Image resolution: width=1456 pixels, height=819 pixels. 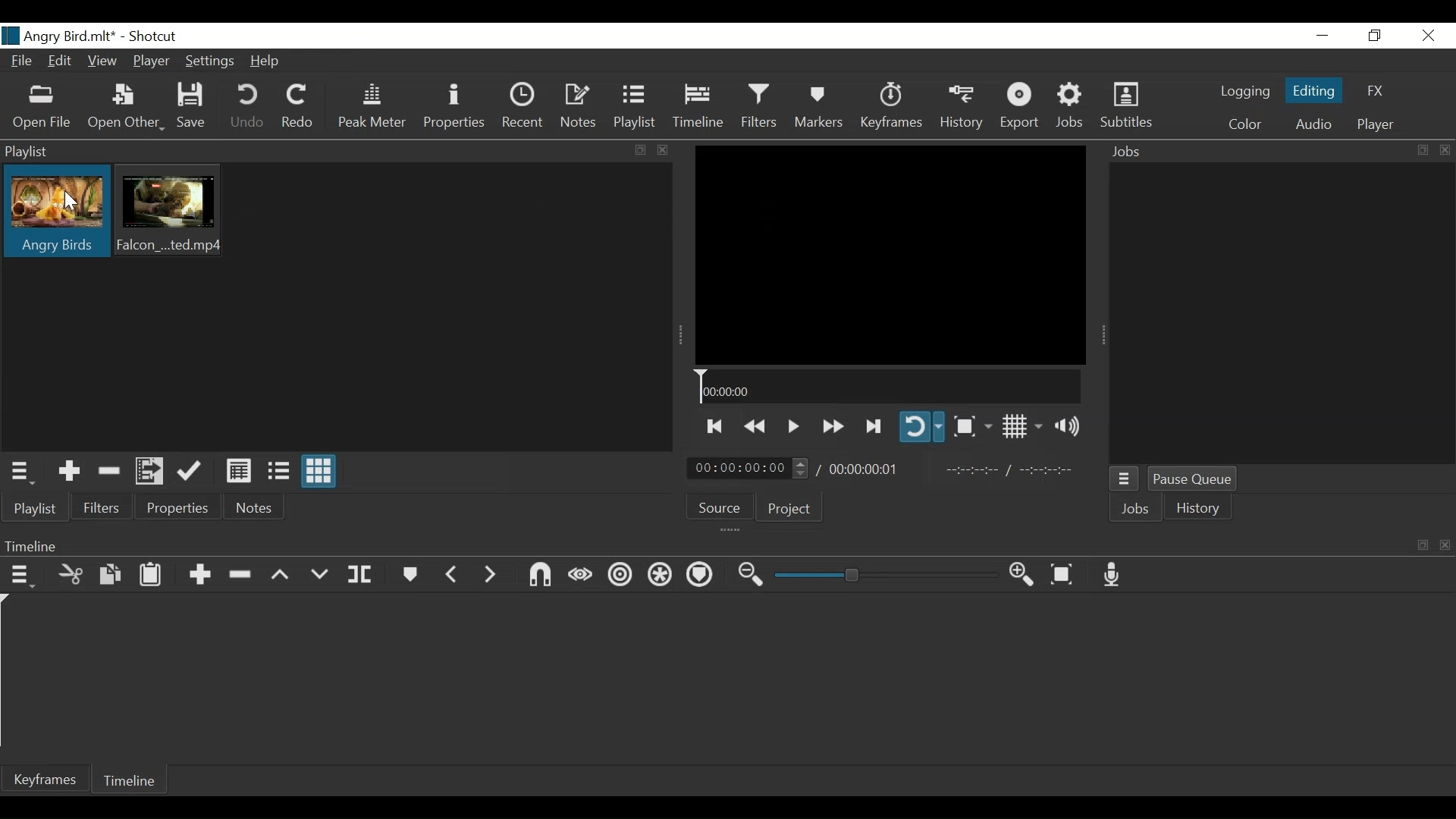 I want to click on Undo, so click(x=249, y=108).